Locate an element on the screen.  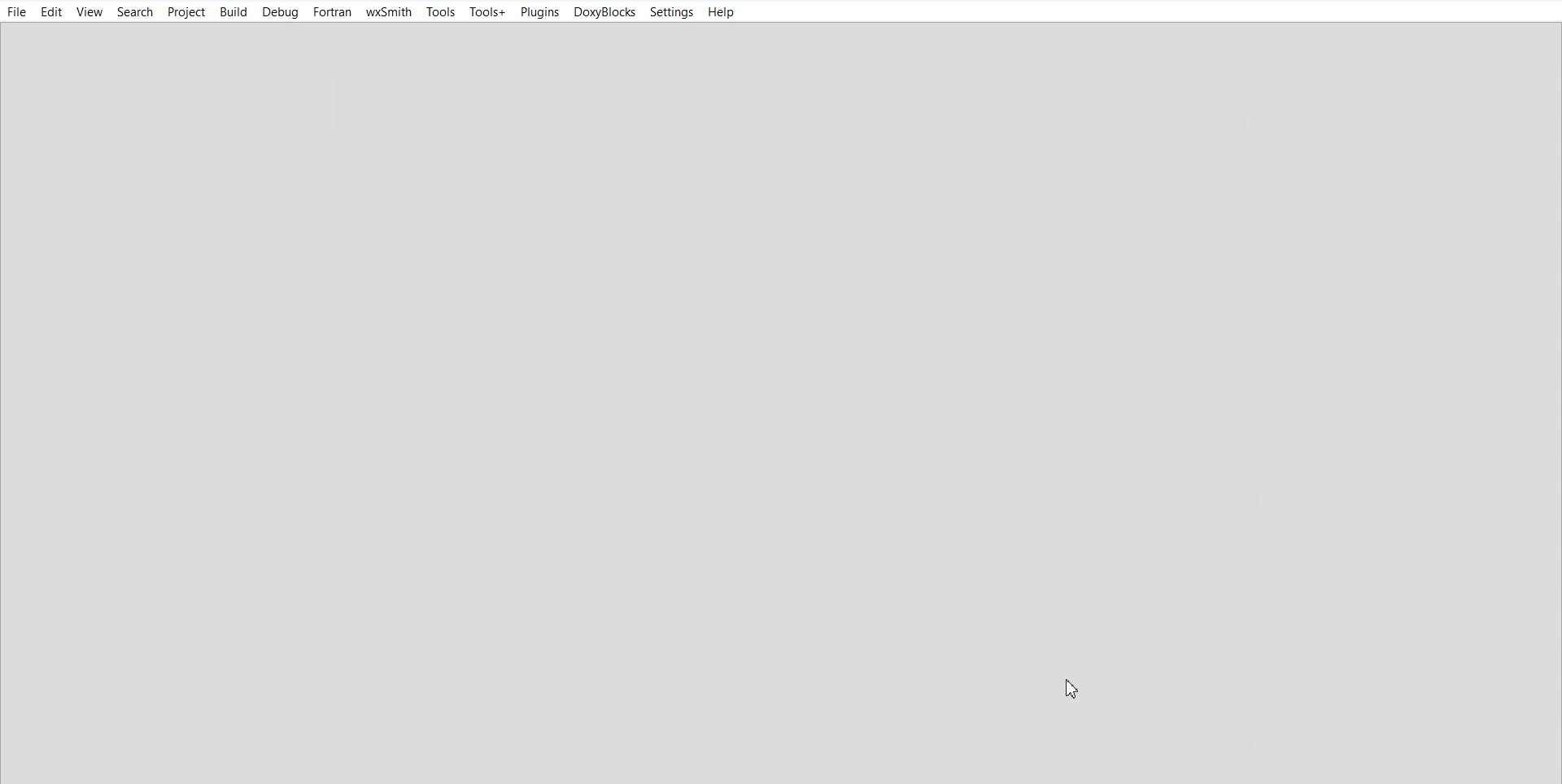
Search is located at coordinates (137, 12).